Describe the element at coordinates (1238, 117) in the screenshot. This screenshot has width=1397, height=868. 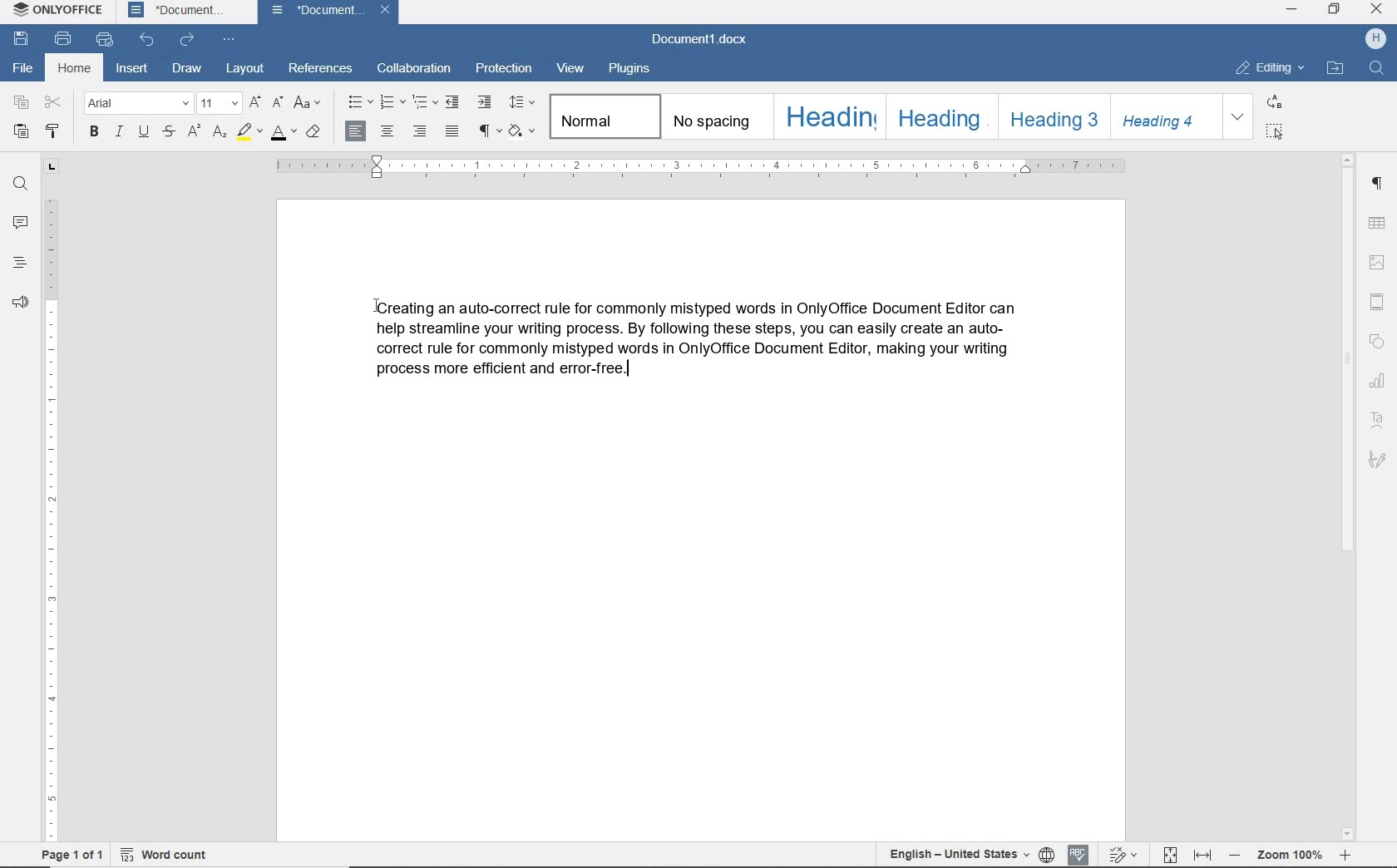
I see `expand` at that location.